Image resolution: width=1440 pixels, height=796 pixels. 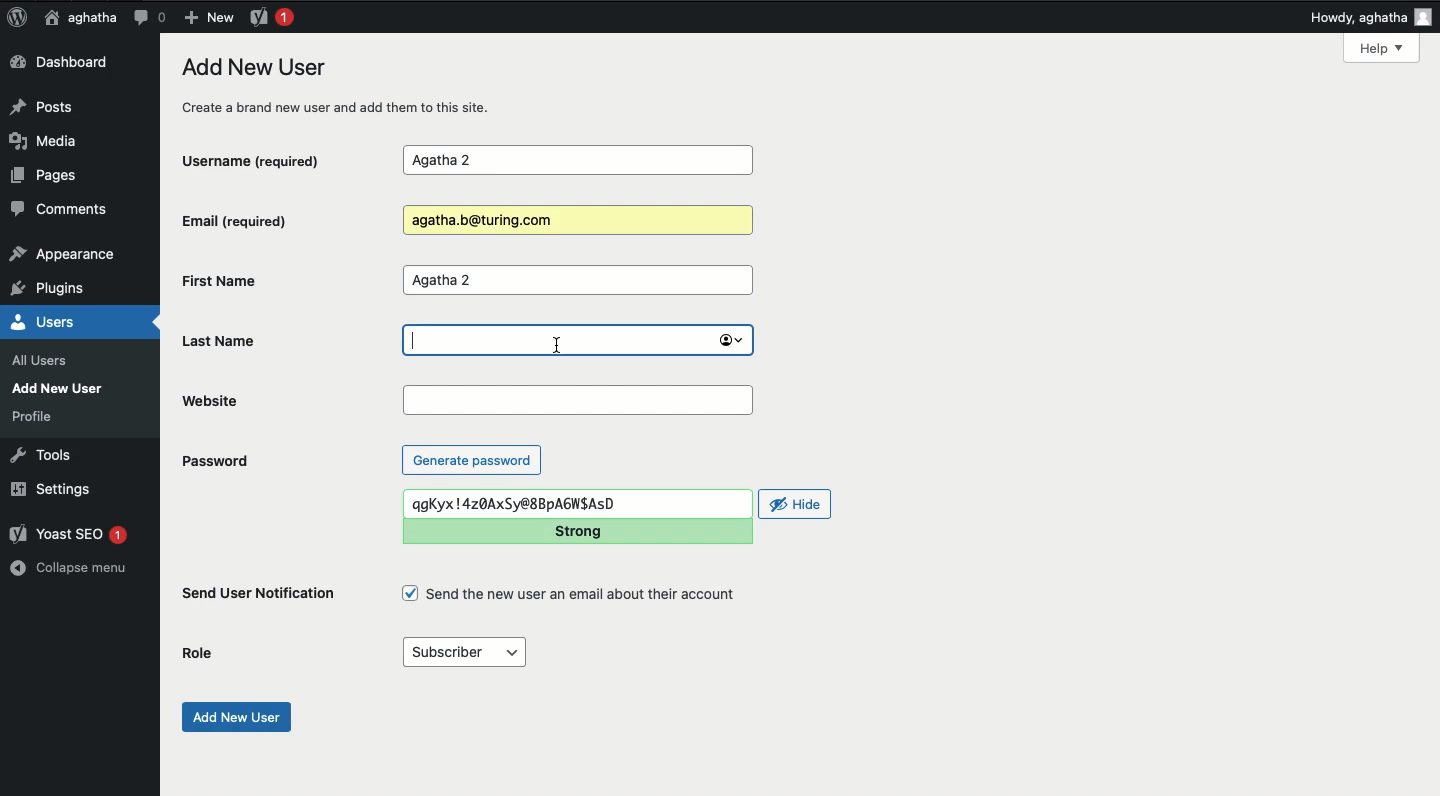 What do you see at coordinates (208, 16) in the screenshot?
I see `New` at bounding box center [208, 16].